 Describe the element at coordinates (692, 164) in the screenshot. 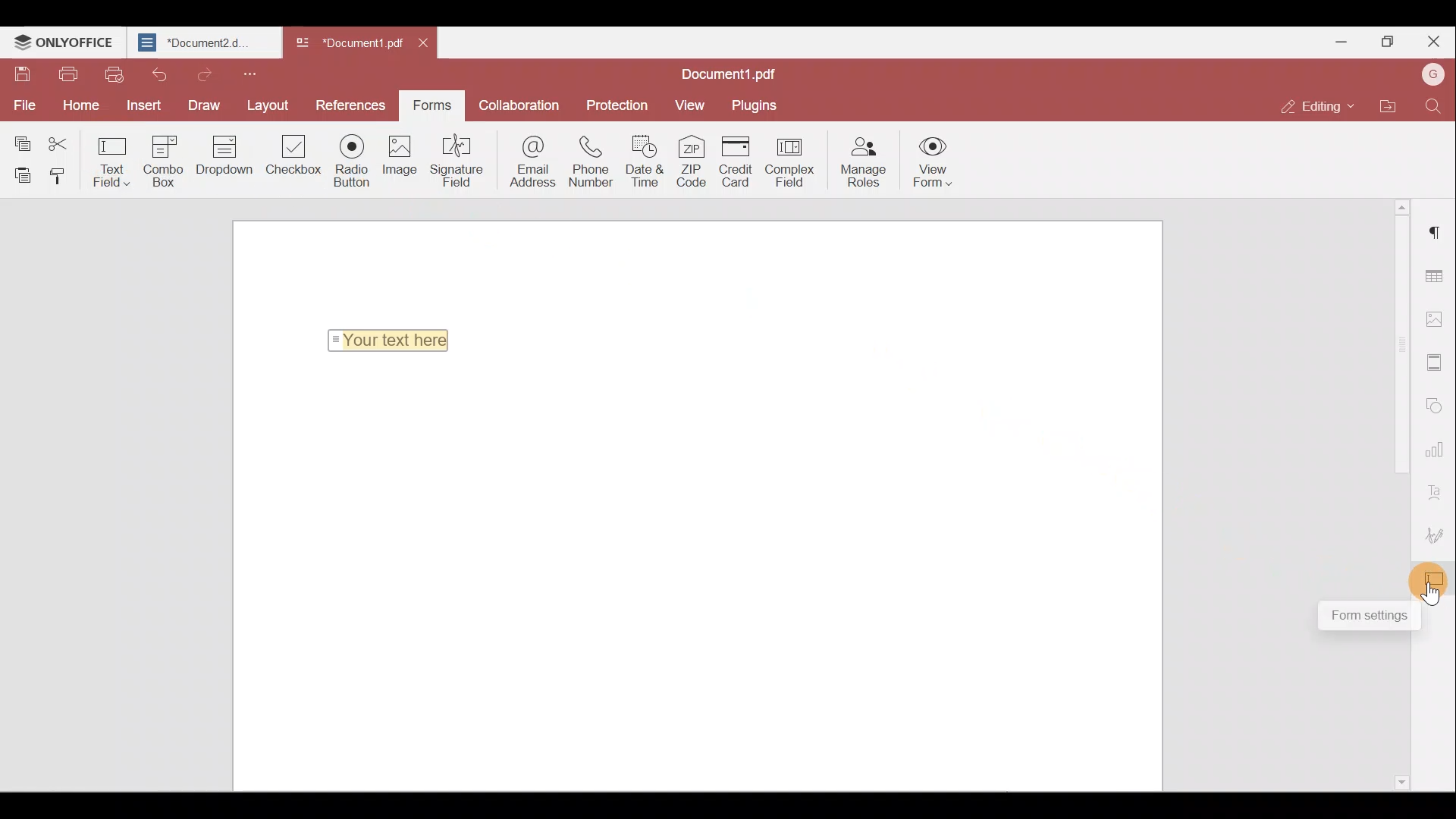

I see `ZIP Code` at that location.